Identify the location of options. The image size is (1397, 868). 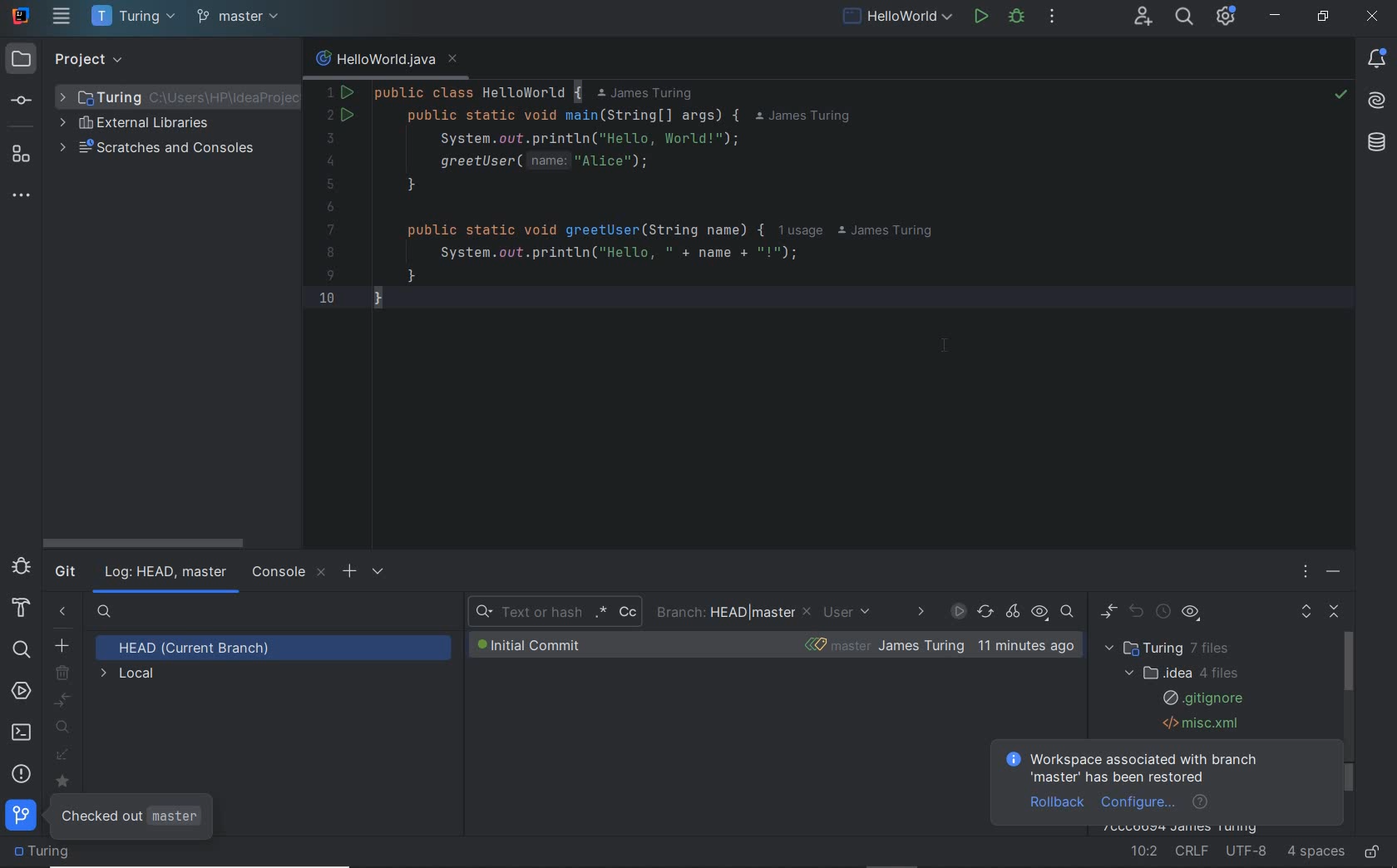
(252, 61).